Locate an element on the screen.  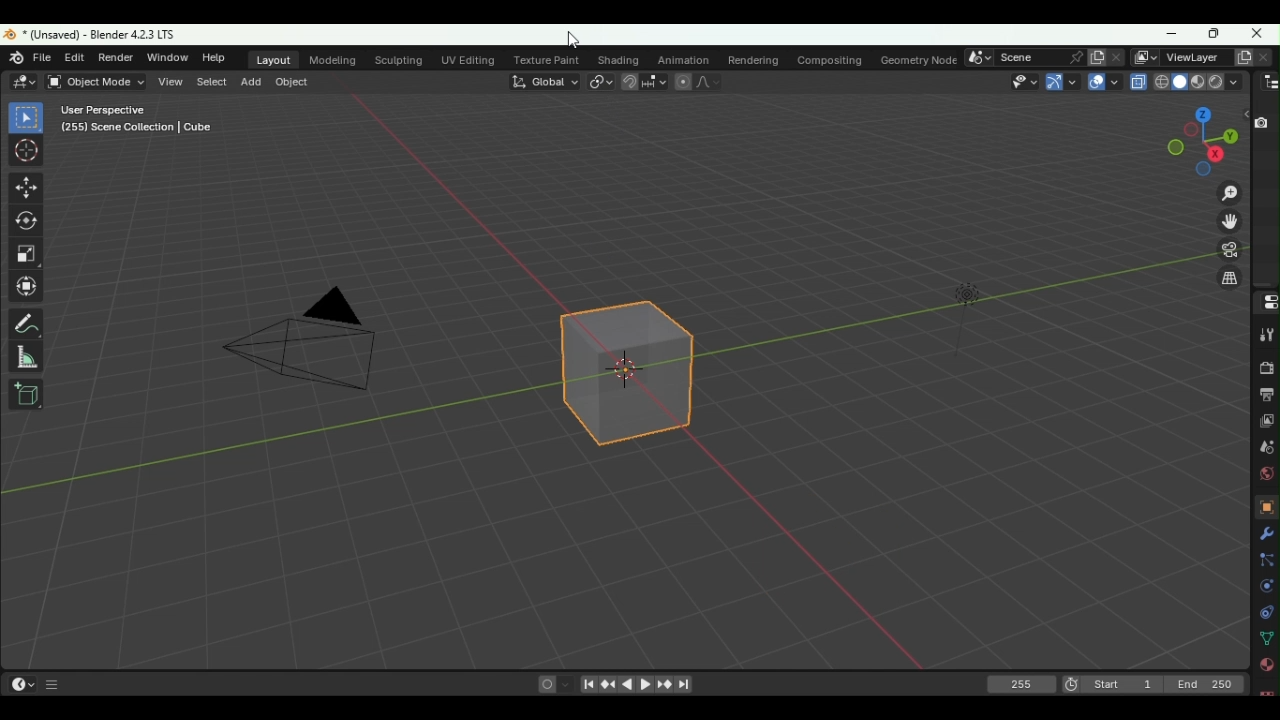
Toggle view options is located at coordinates (1243, 113).